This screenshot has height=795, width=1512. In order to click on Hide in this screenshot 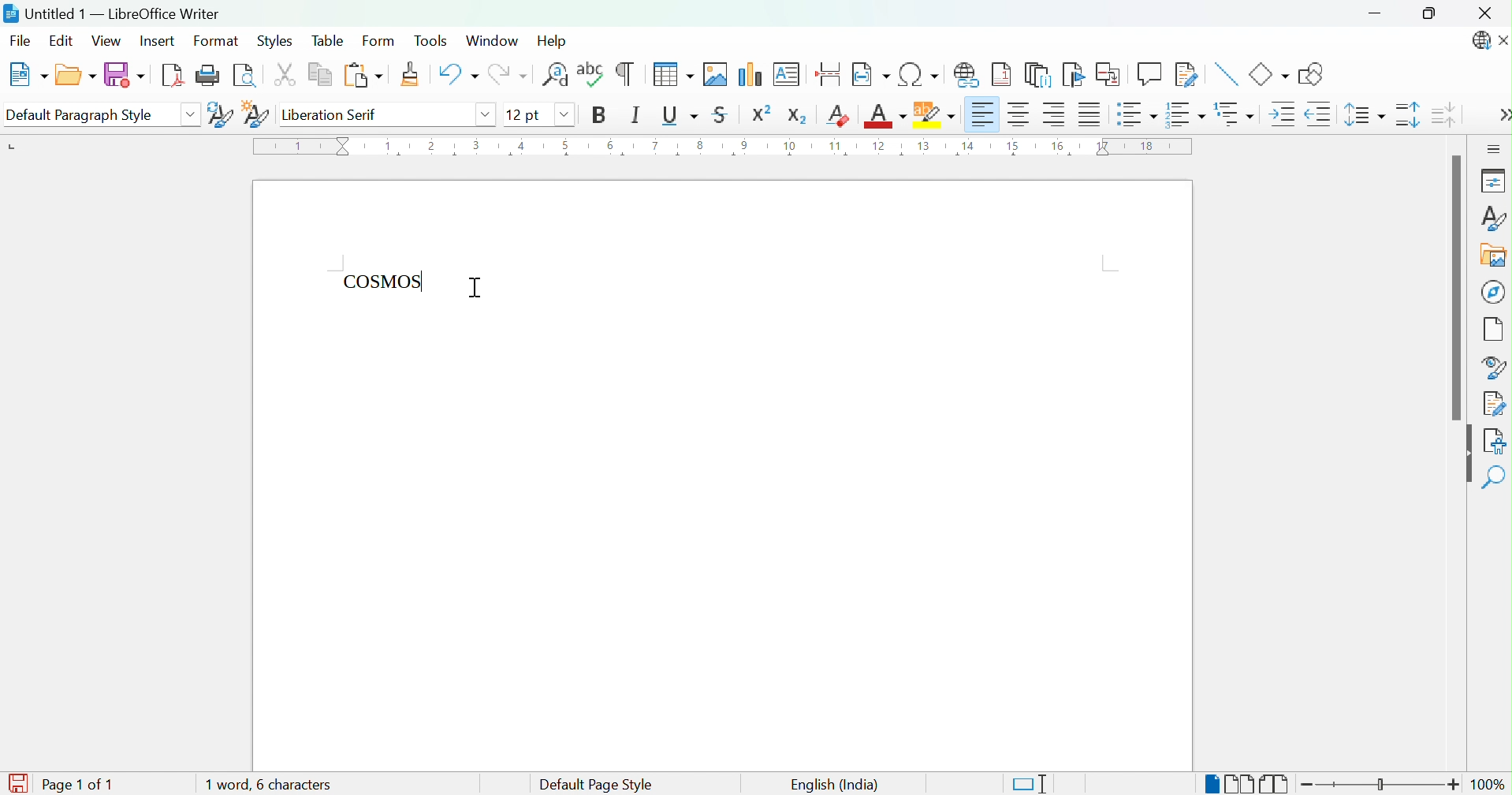, I will do `click(1464, 456)`.